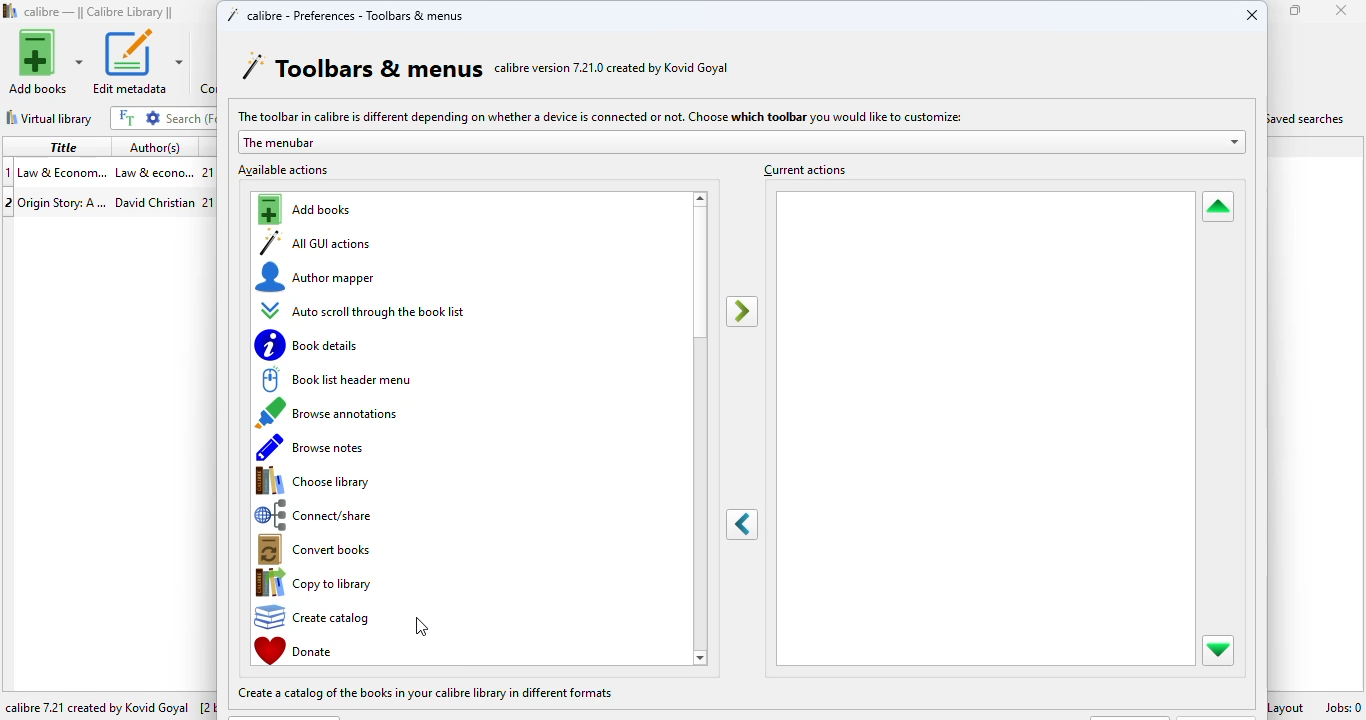  Describe the element at coordinates (364, 311) in the screenshot. I see `auto scroll through the book list` at that location.